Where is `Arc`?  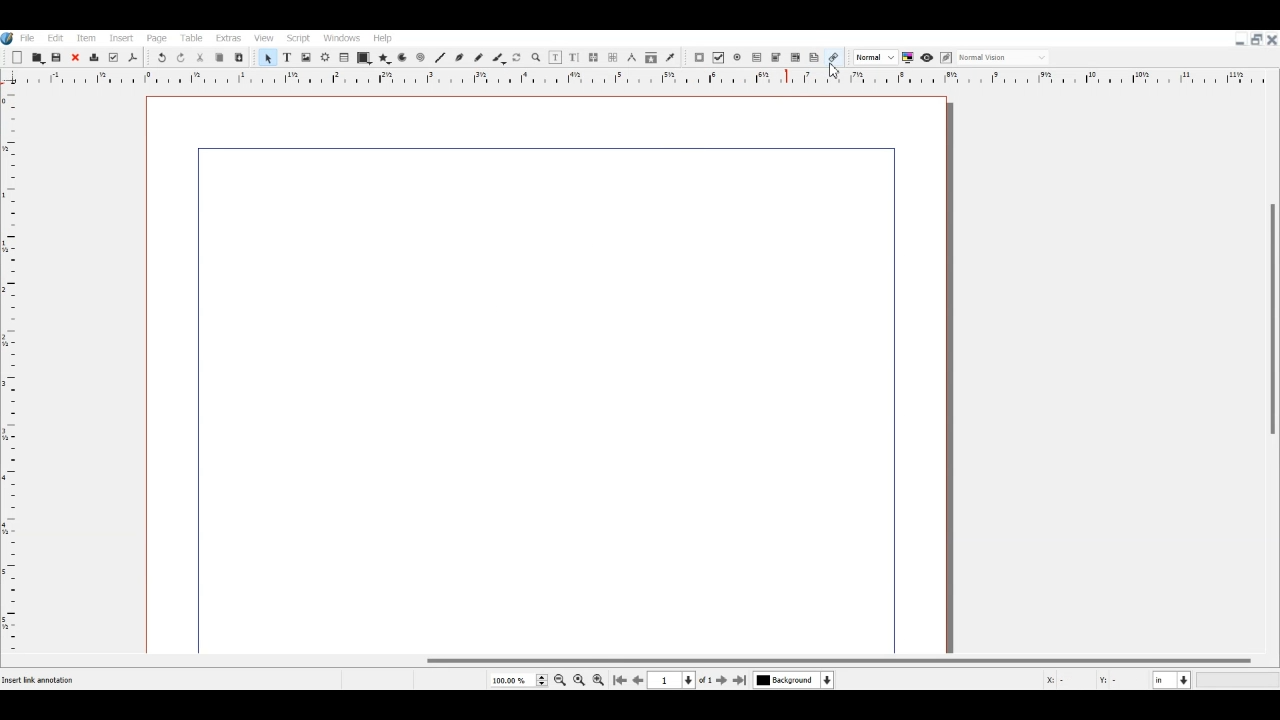 Arc is located at coordinates (402, 59).